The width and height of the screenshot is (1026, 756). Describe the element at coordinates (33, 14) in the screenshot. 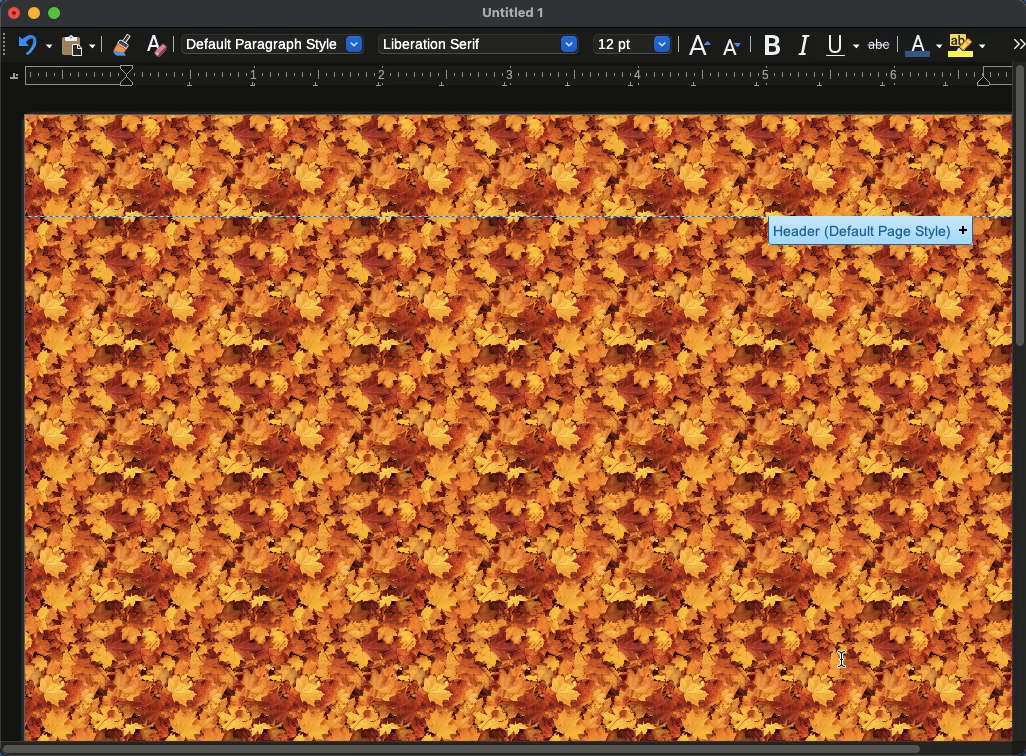

I see `minimize` at that location.